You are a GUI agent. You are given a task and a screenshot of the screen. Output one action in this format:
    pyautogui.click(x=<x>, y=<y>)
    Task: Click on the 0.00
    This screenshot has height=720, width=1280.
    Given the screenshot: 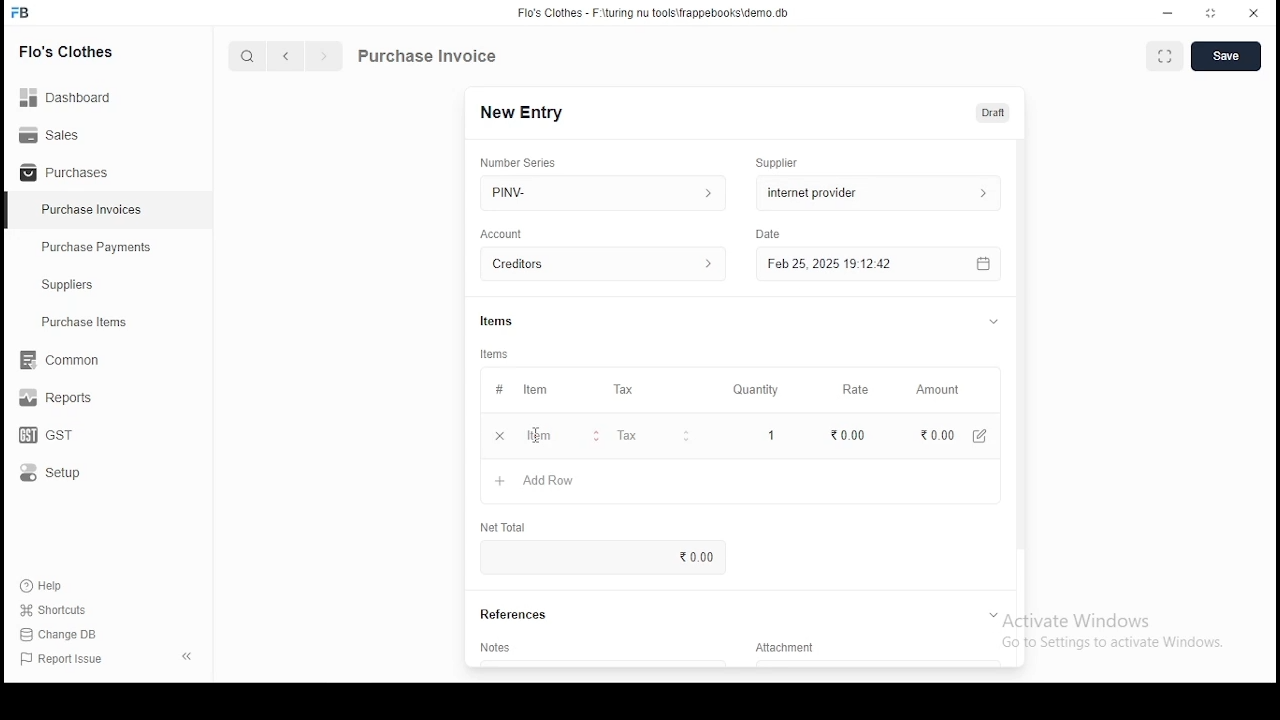 What is the action you would take?
    pyautogui.click(x=604, y=559)
    